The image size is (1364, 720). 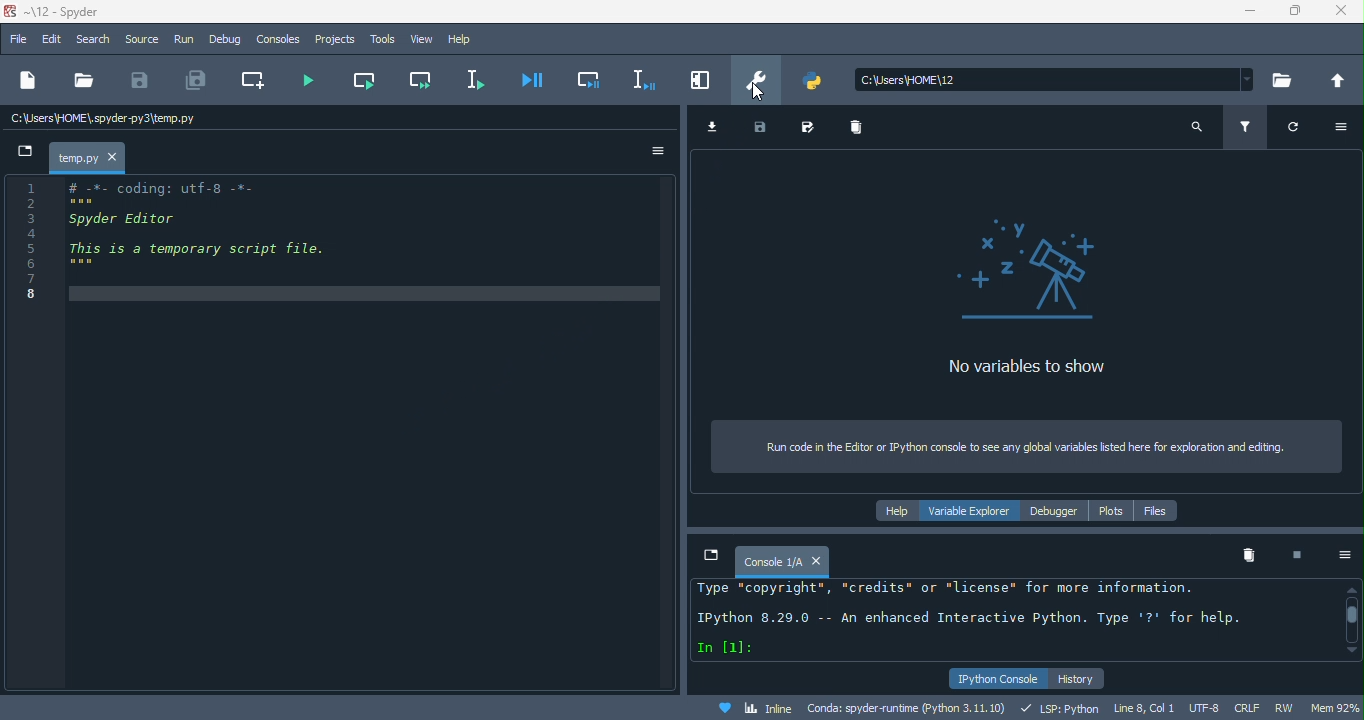 What do you see at coordinates (420, 38) in the screenshot?
I see `view` at bounding box center [420, 38].